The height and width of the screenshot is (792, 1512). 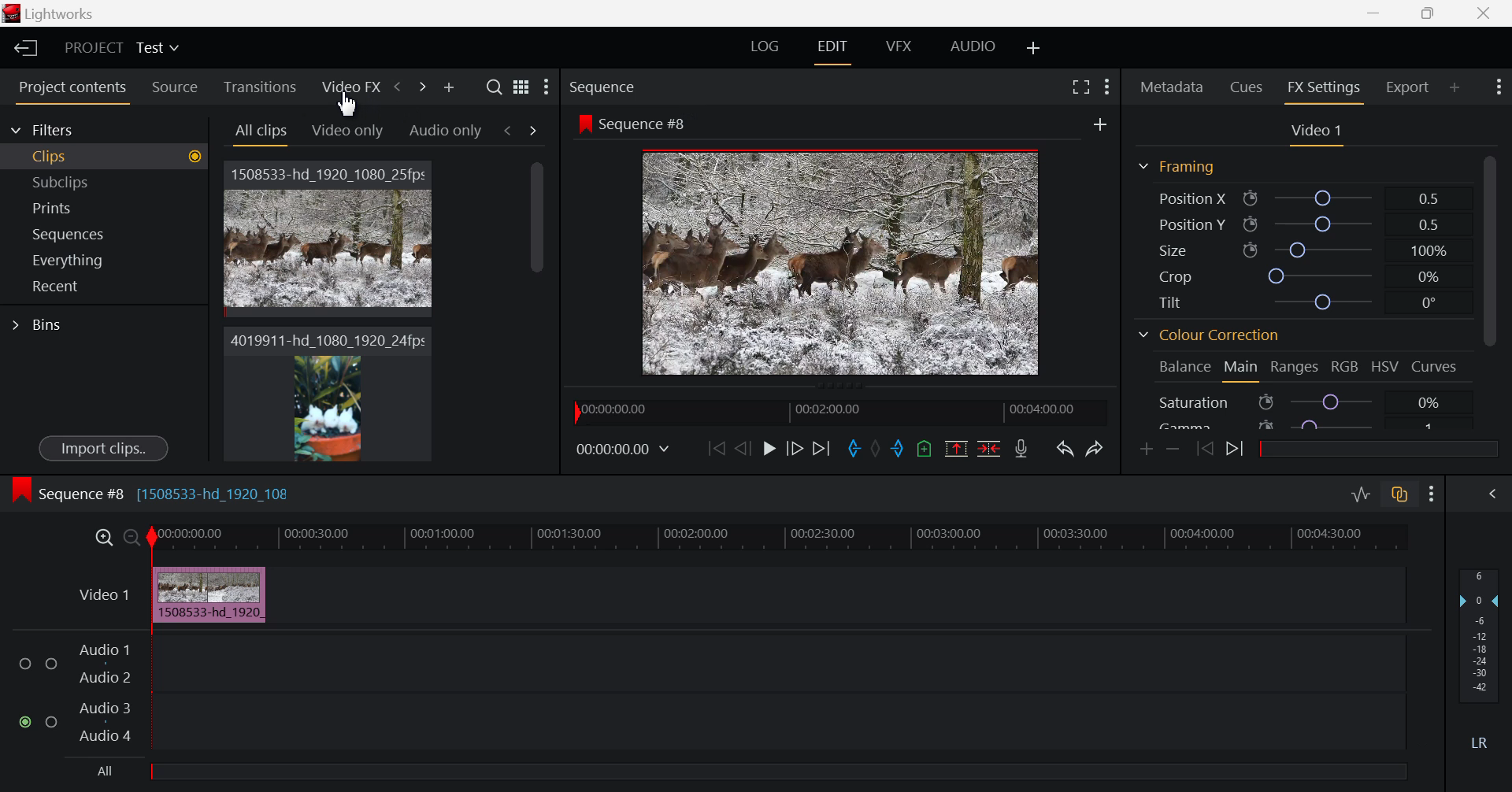 I want to click on Show Settings, so click(x=547, y=85).